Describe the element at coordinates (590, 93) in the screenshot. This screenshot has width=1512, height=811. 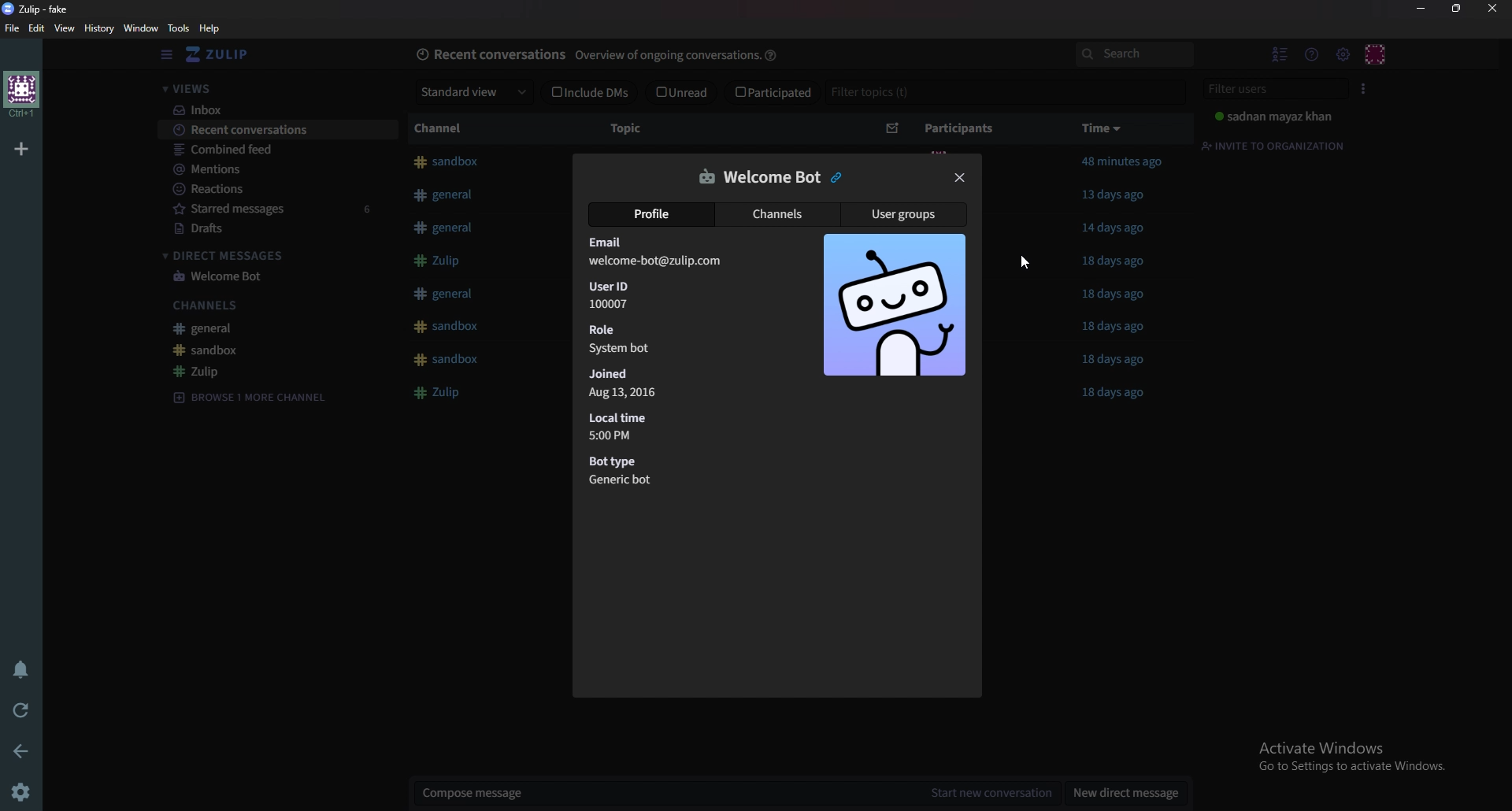
I see `Include dms` at that location.